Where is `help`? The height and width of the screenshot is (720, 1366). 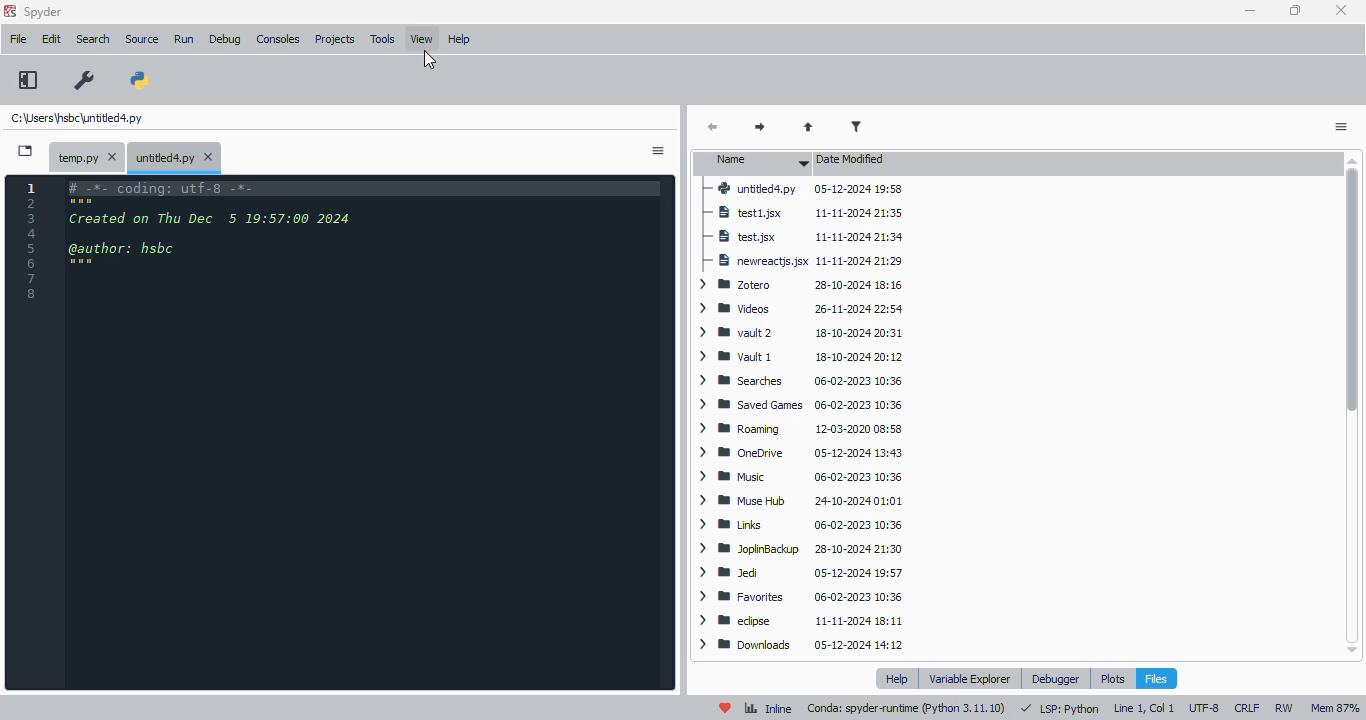
help is located at coordinates (900, 678).